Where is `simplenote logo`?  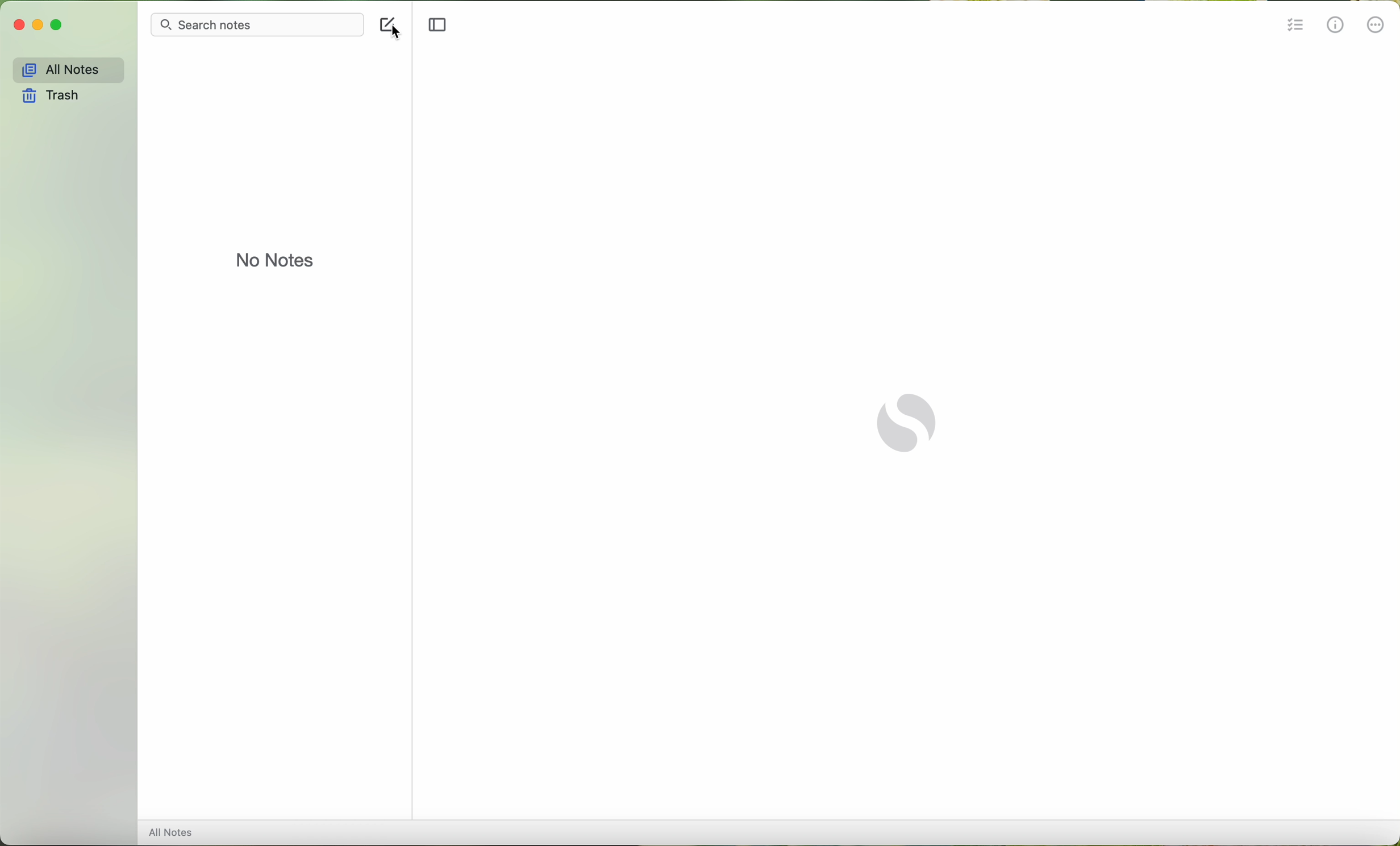 simplenote logo is located at coordinates (909, 421).